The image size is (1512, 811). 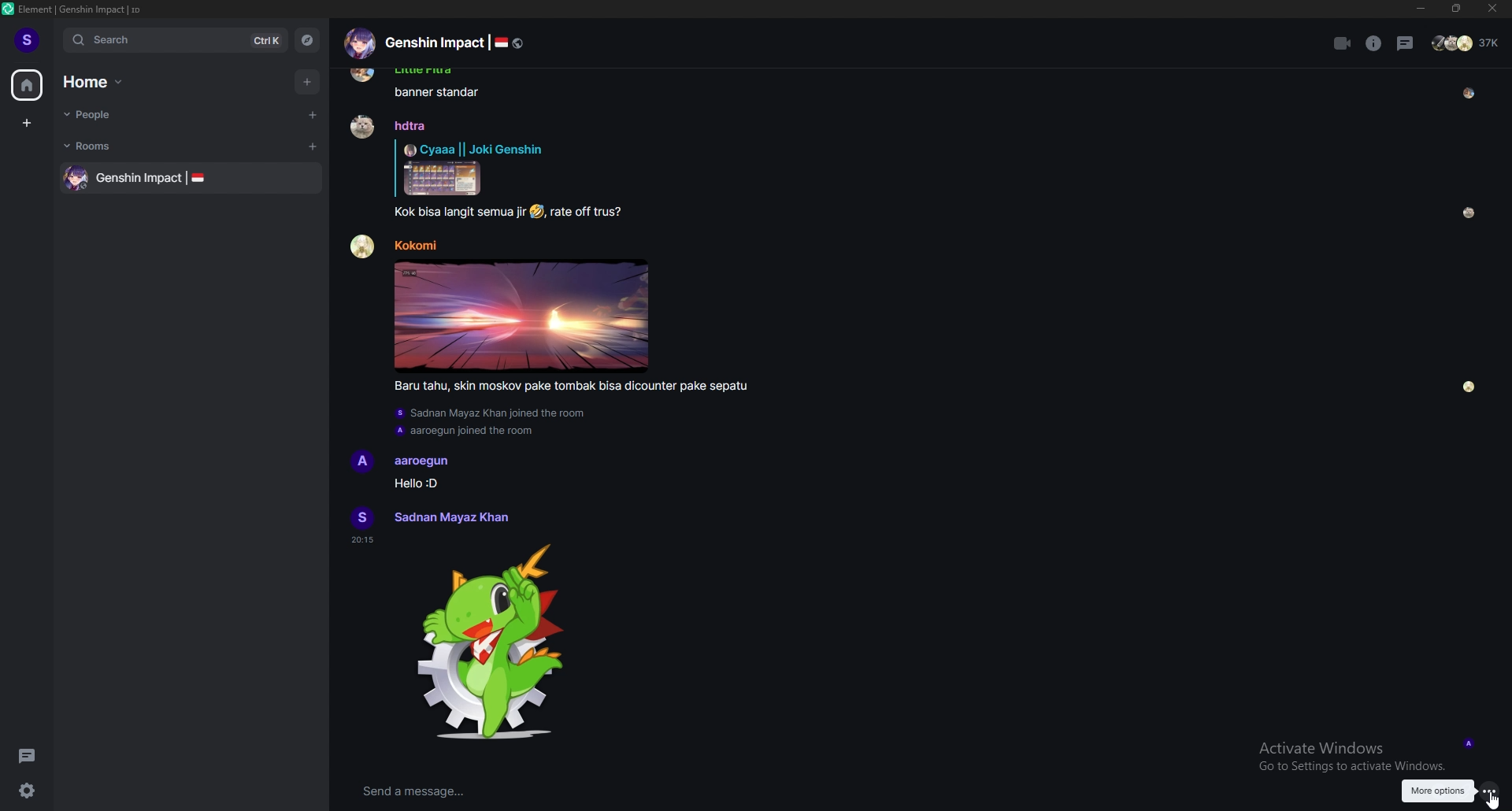 I want to click on profile, so click(x=28, y=39).